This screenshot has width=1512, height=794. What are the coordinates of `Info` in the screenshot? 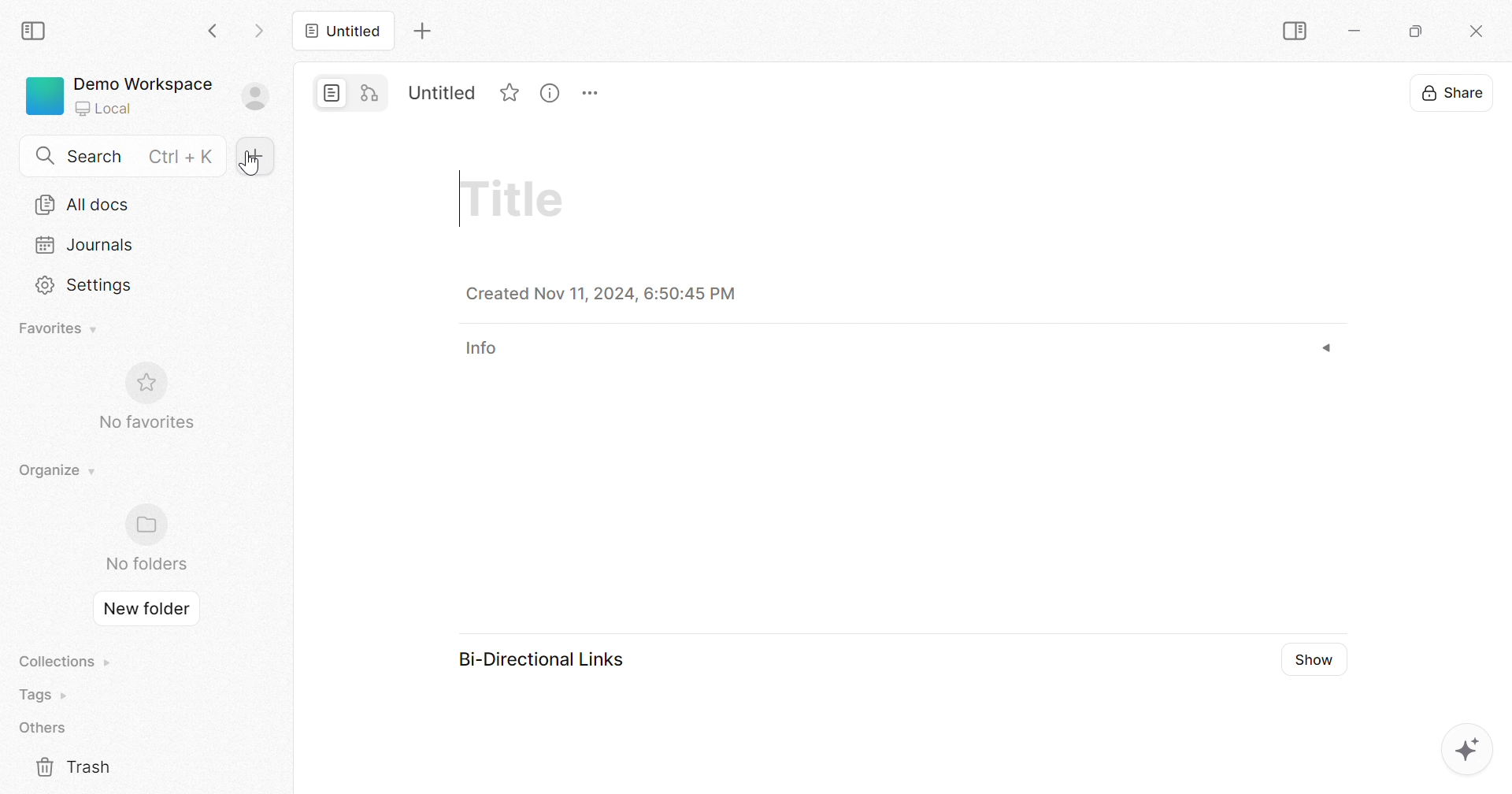 It's located at (489, 347).